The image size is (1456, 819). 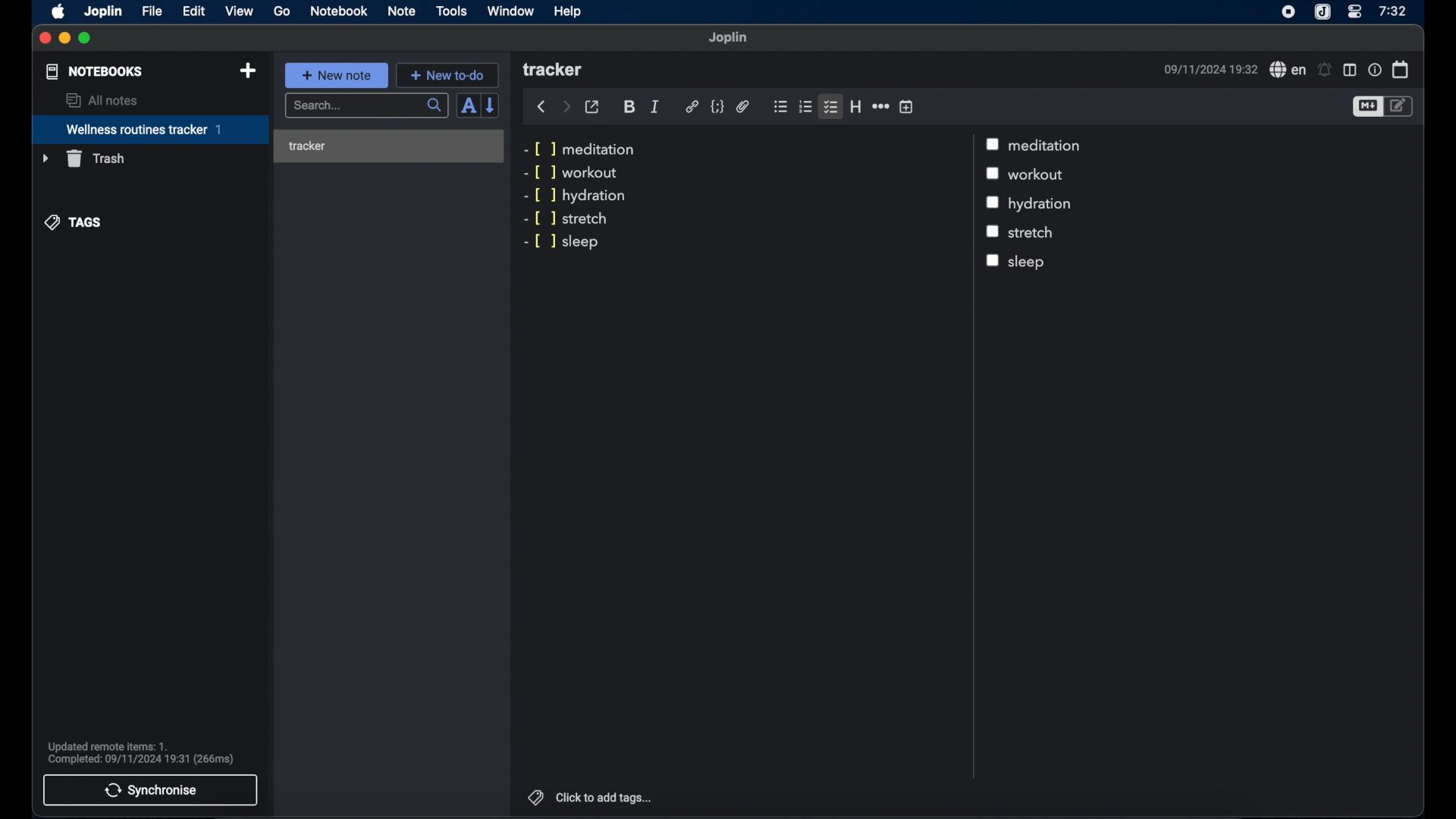 I want to click on checkbox, so click(x=996, y=174).